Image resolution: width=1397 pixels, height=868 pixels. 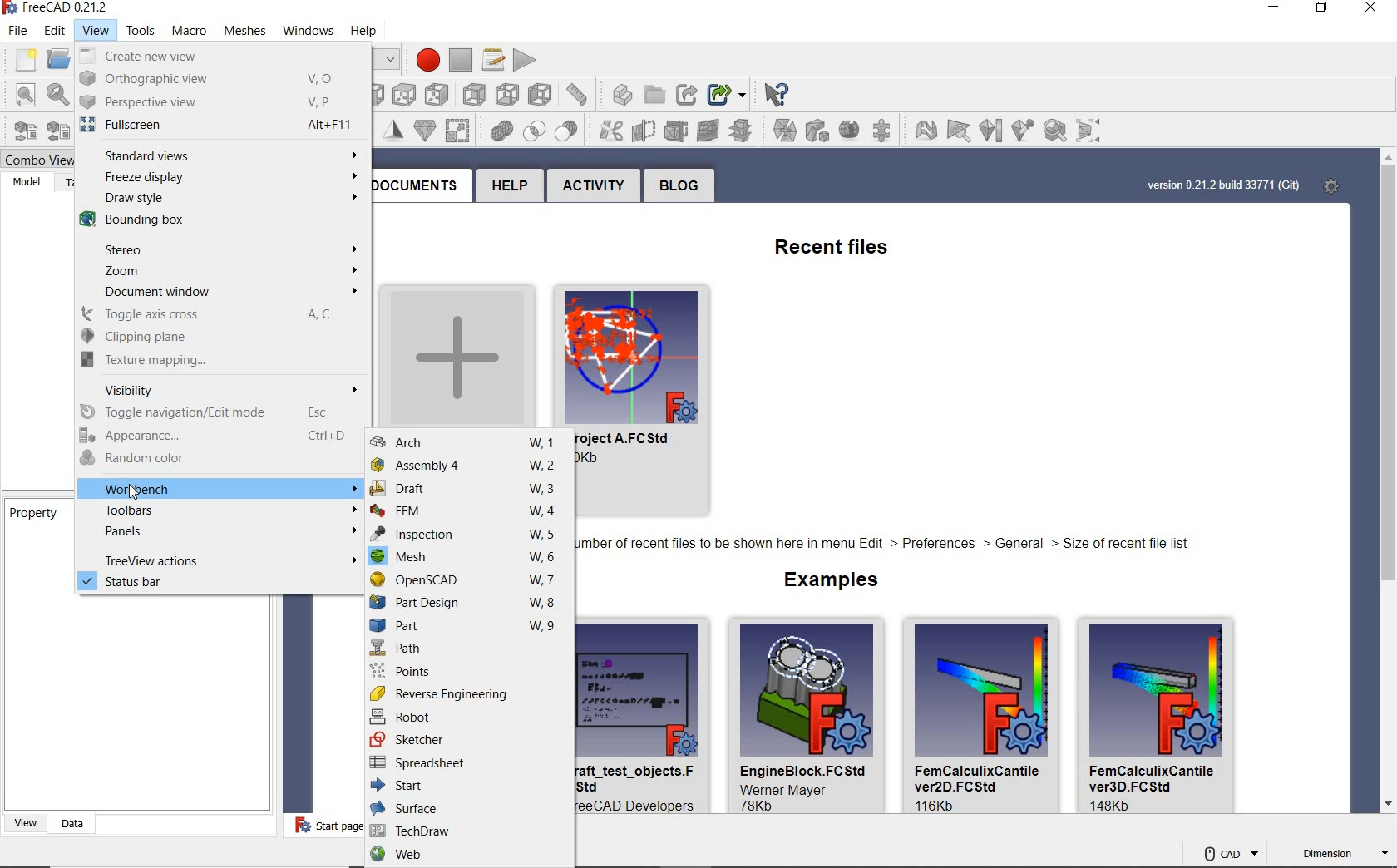 What do you see at coordinates (1344, 855) in the screenshot?
I see `dimension` at bounding box center [1344, 855].